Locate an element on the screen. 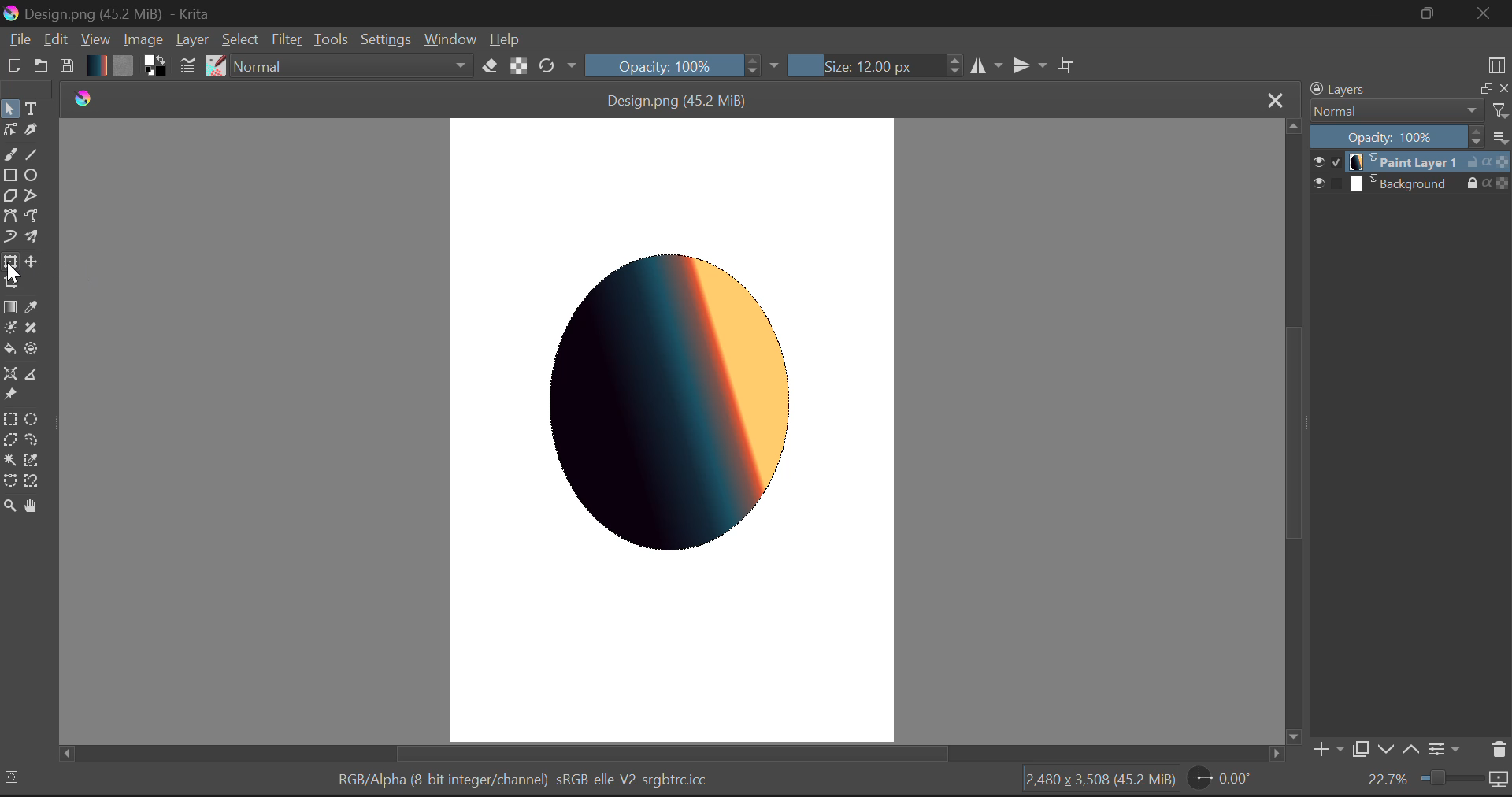 This screenshot has width=1512, height=797. Settings is located at coordinates (1447, 751).